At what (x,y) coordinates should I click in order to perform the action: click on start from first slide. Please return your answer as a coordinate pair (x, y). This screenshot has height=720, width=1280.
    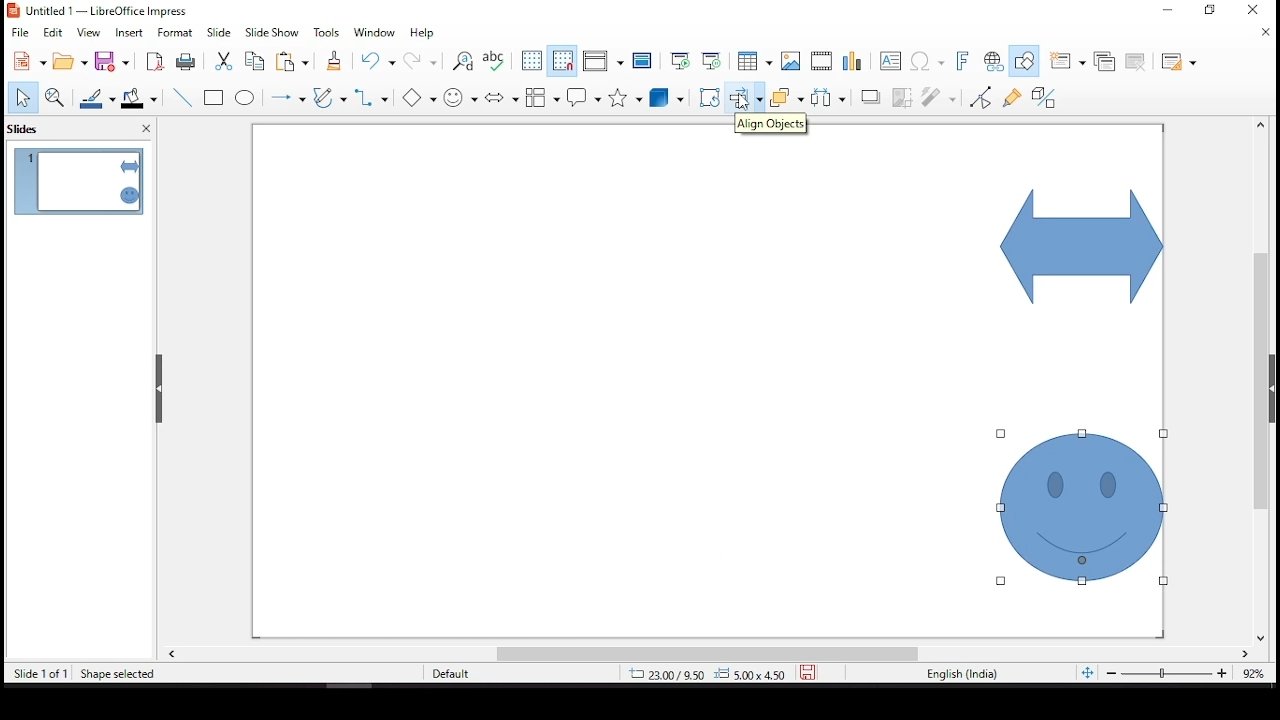
    Looking at the image, I should click on (680, 60).